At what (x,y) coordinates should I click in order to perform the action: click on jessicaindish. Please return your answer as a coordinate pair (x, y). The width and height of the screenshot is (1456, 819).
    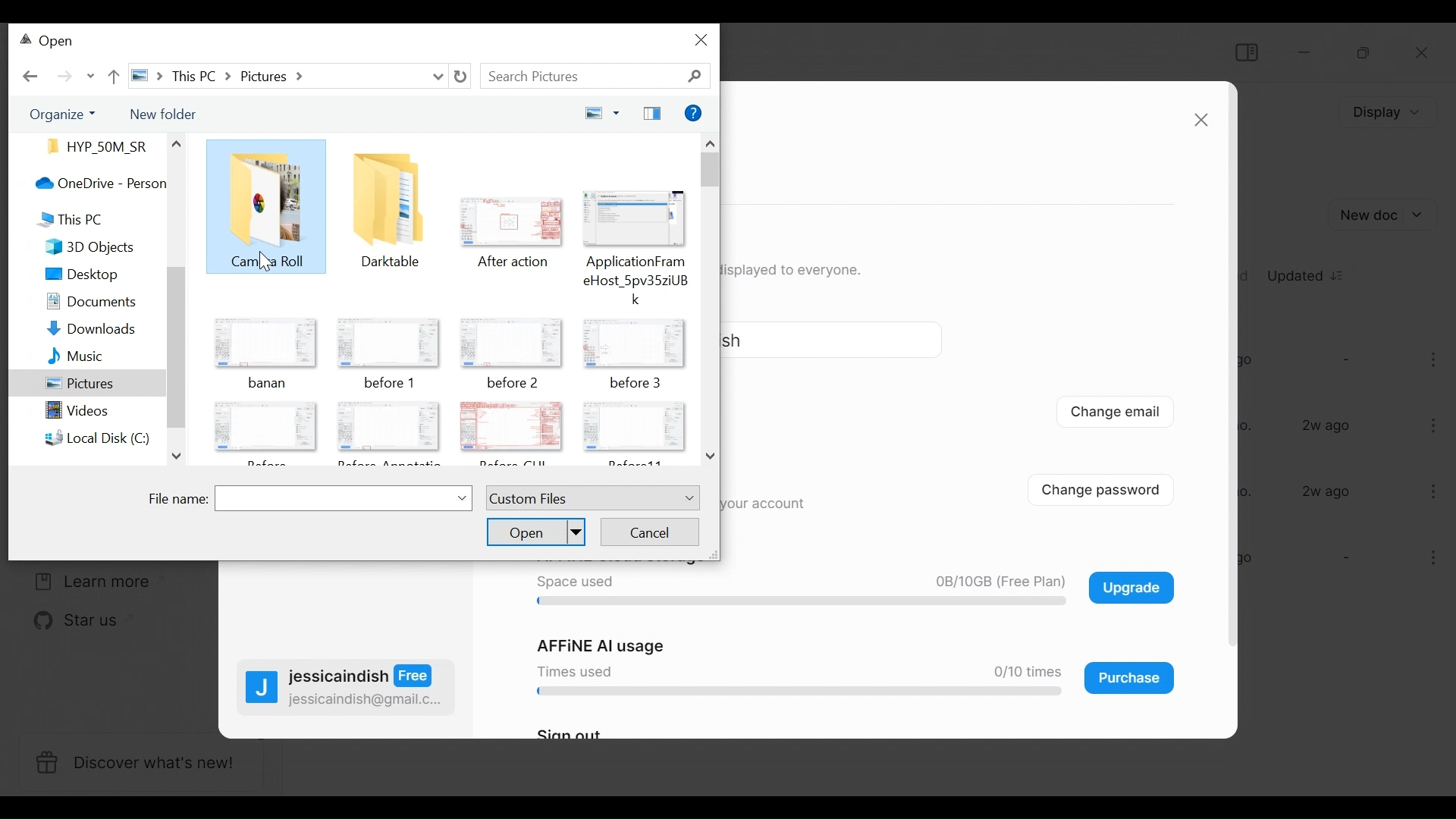
    Looking at the image, I should click on (362, 676).